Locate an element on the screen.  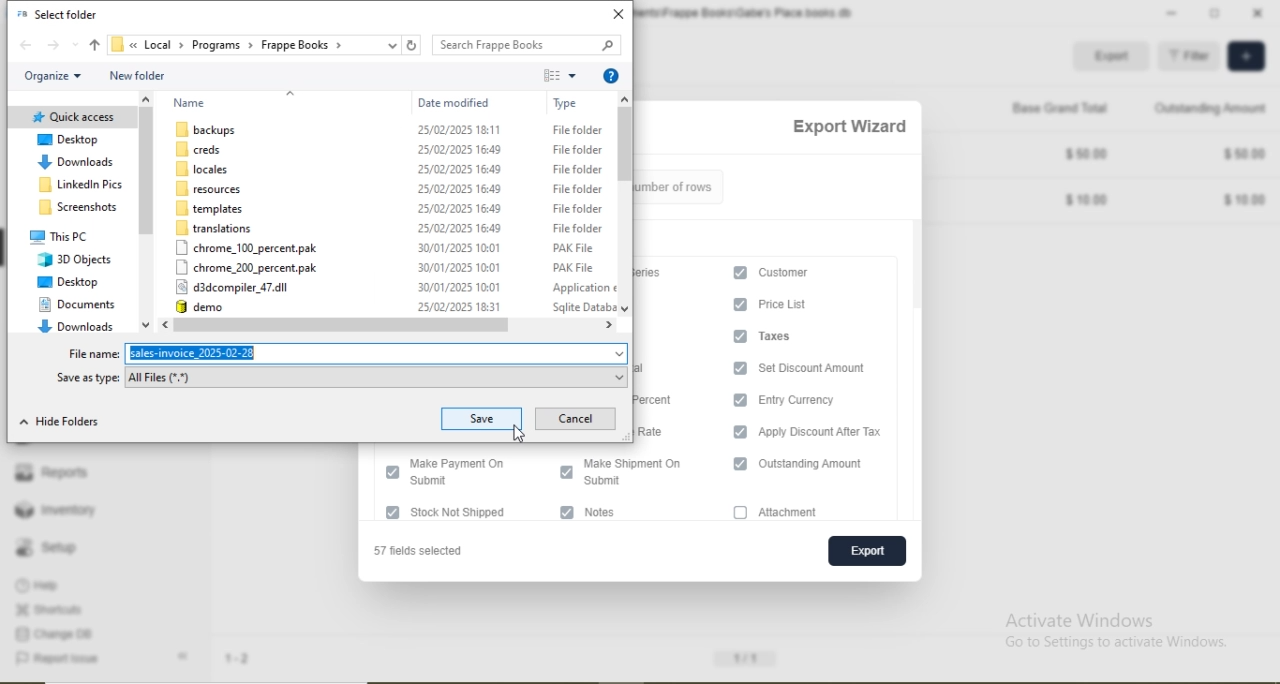
Export is located at coordinates (1116, 57).